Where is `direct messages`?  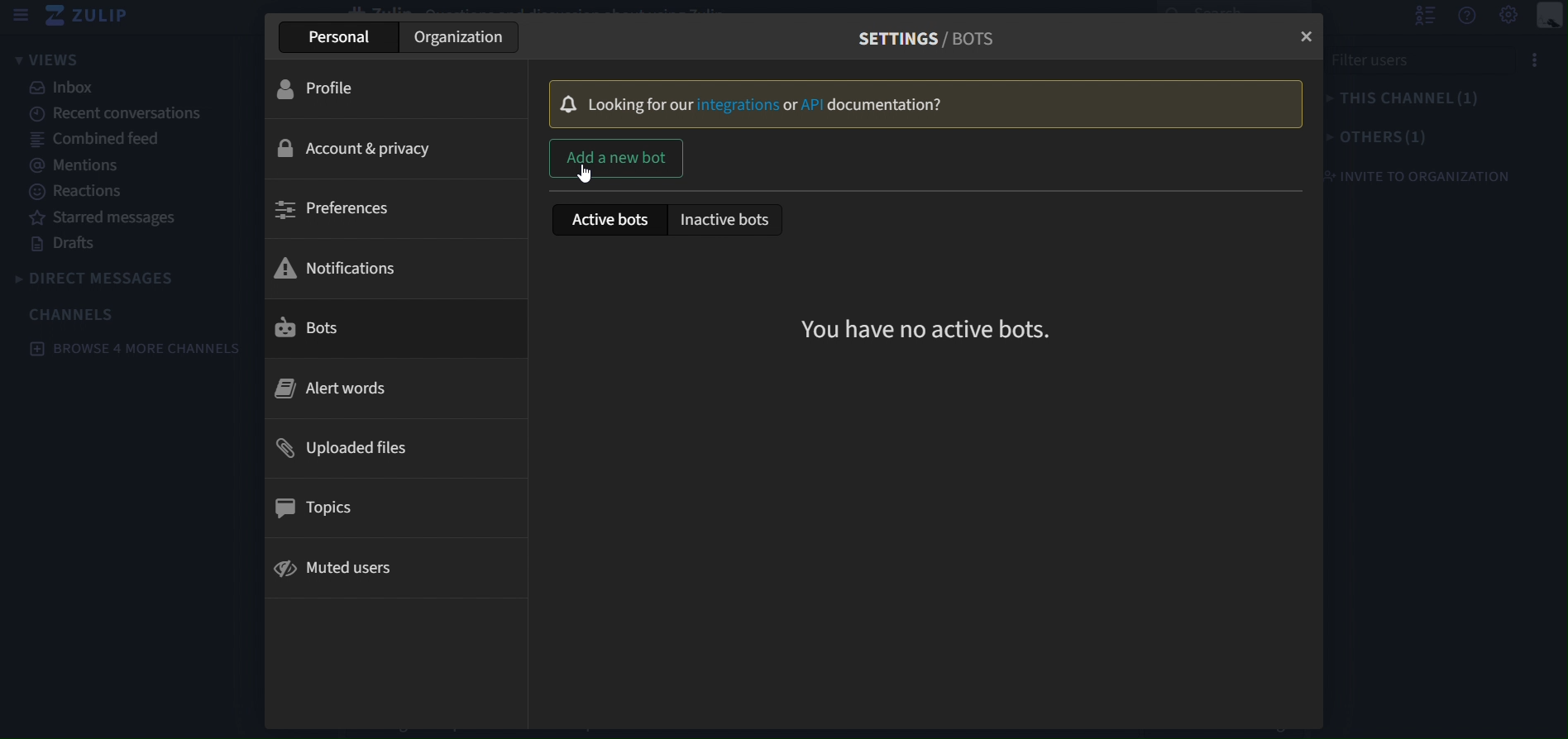
direct messages is located at coordinates (100, 279).